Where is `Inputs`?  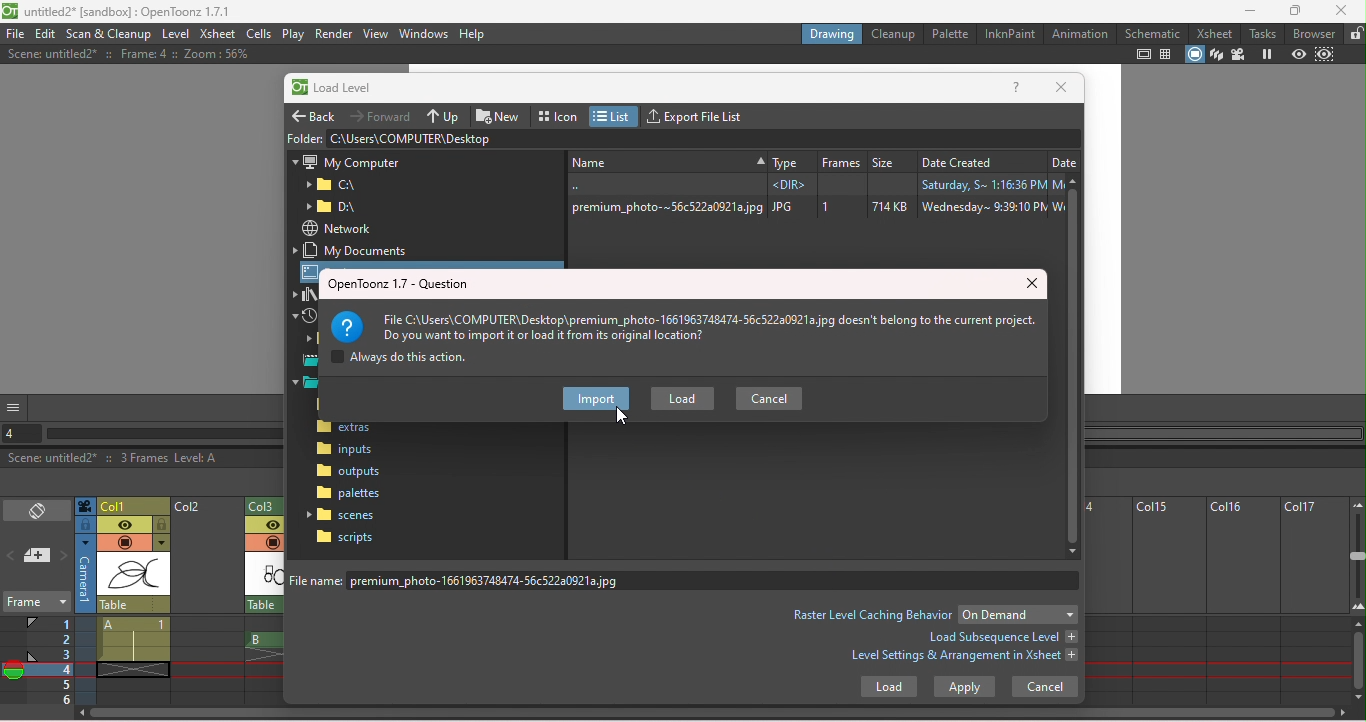
Inputs is located at coordinates (348, 451).